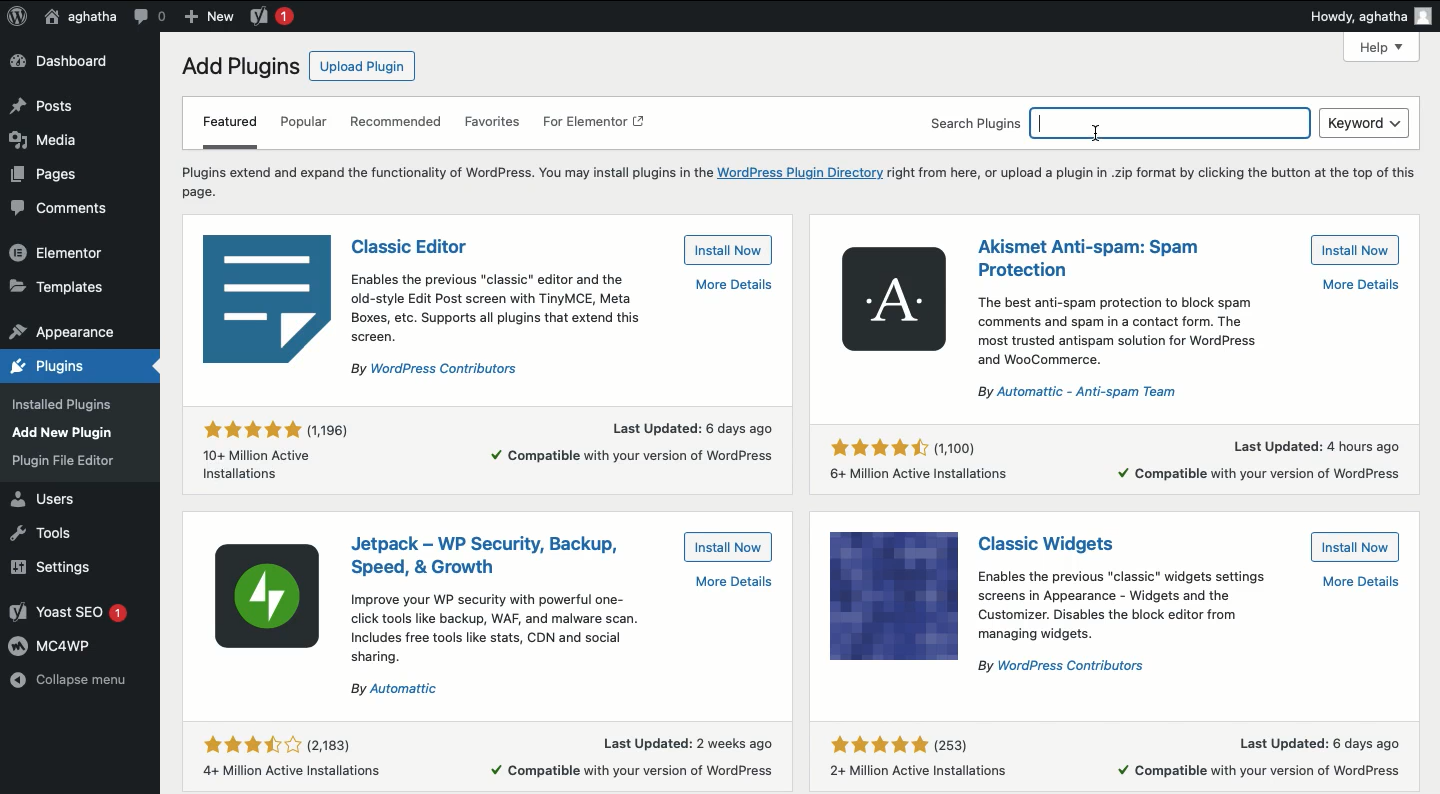  I want to click on Icon, so click(269, 298).